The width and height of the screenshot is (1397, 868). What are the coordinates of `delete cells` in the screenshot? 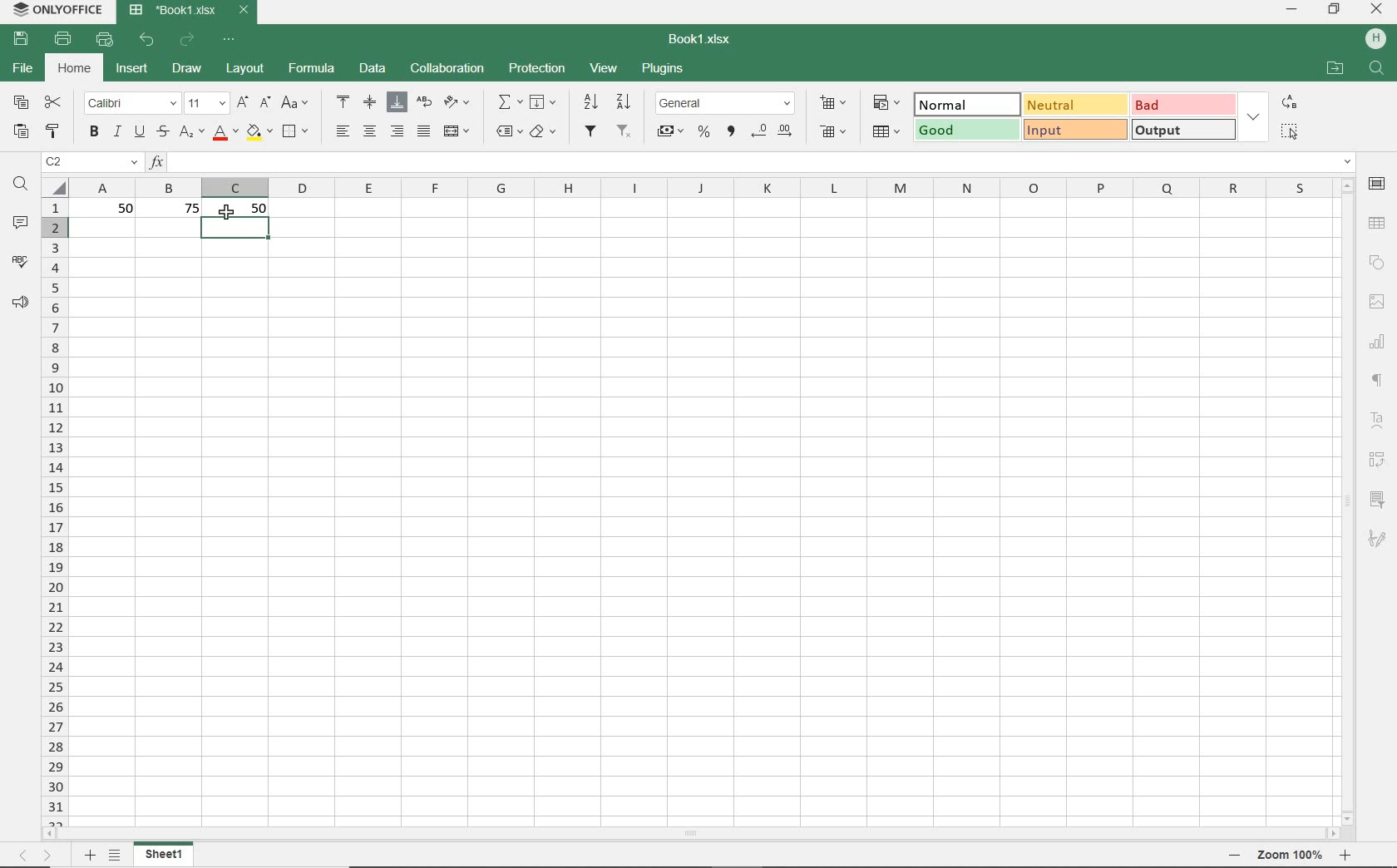 It's located at (886, 133).